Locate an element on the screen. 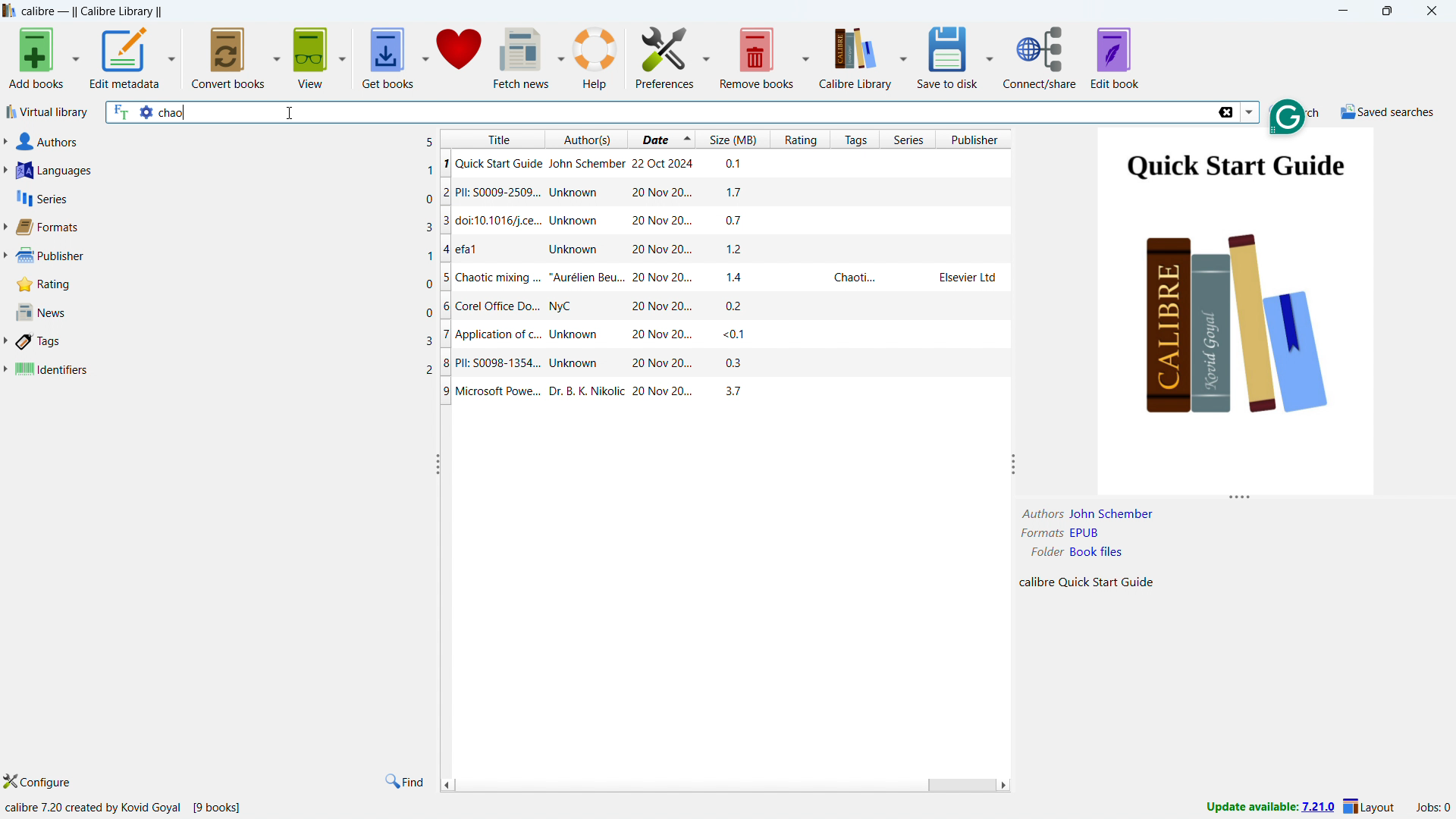  expand publisher is located at coordinates (5, 256).